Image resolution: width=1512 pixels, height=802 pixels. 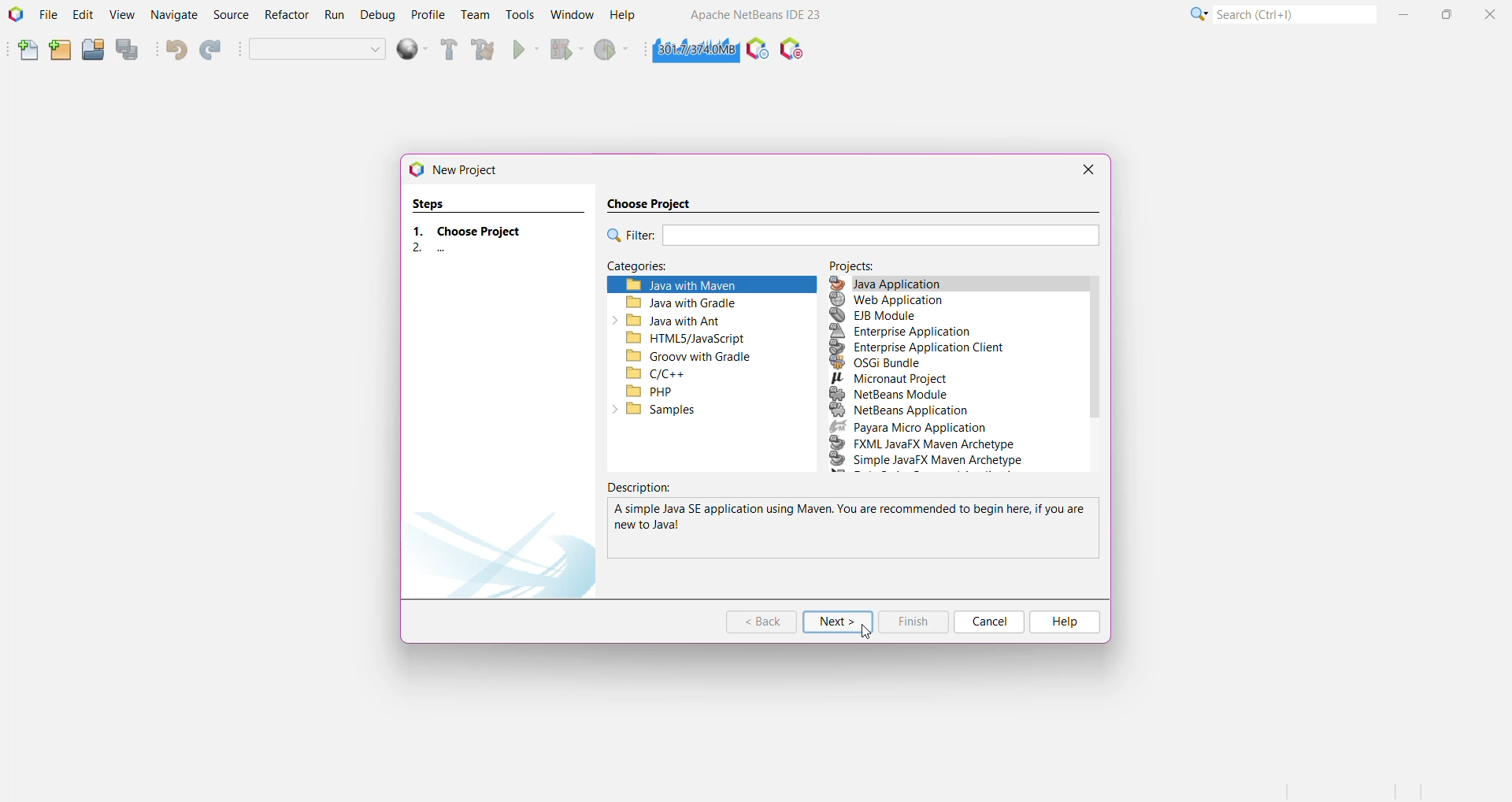 What do you see at coordinates (913, 622) in the screenshot?
I see `Finish` at bounding box center [913, 622].